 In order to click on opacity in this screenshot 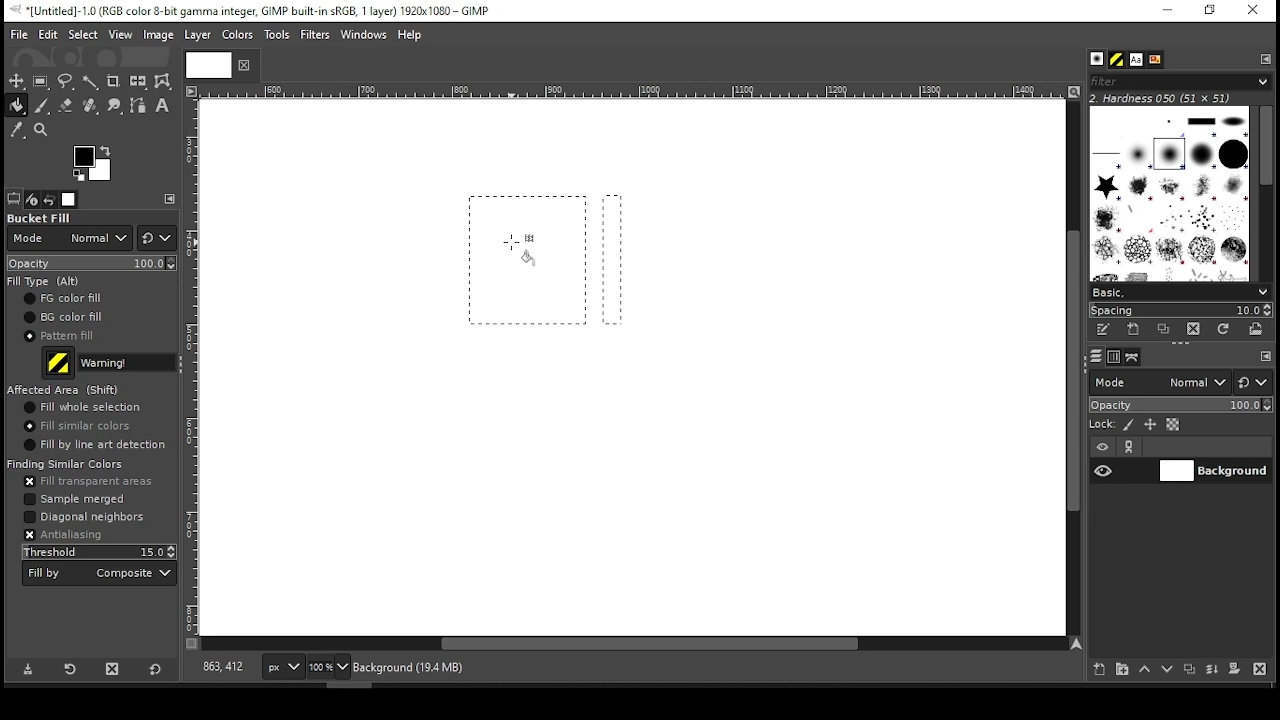, I will do `click(90, 263)`.